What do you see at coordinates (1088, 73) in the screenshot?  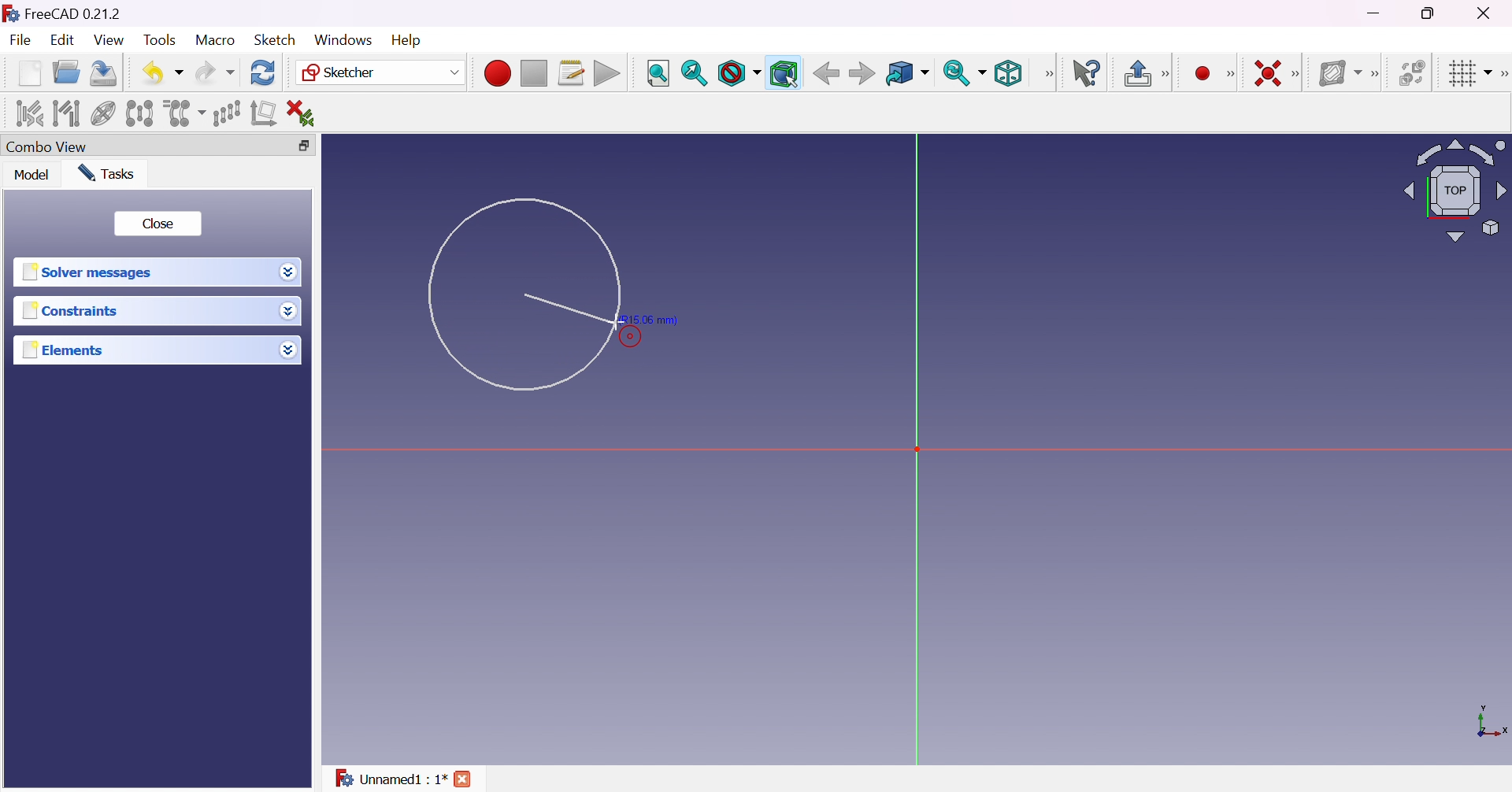 I see `What's this?` at bounding box center [1088, 73].